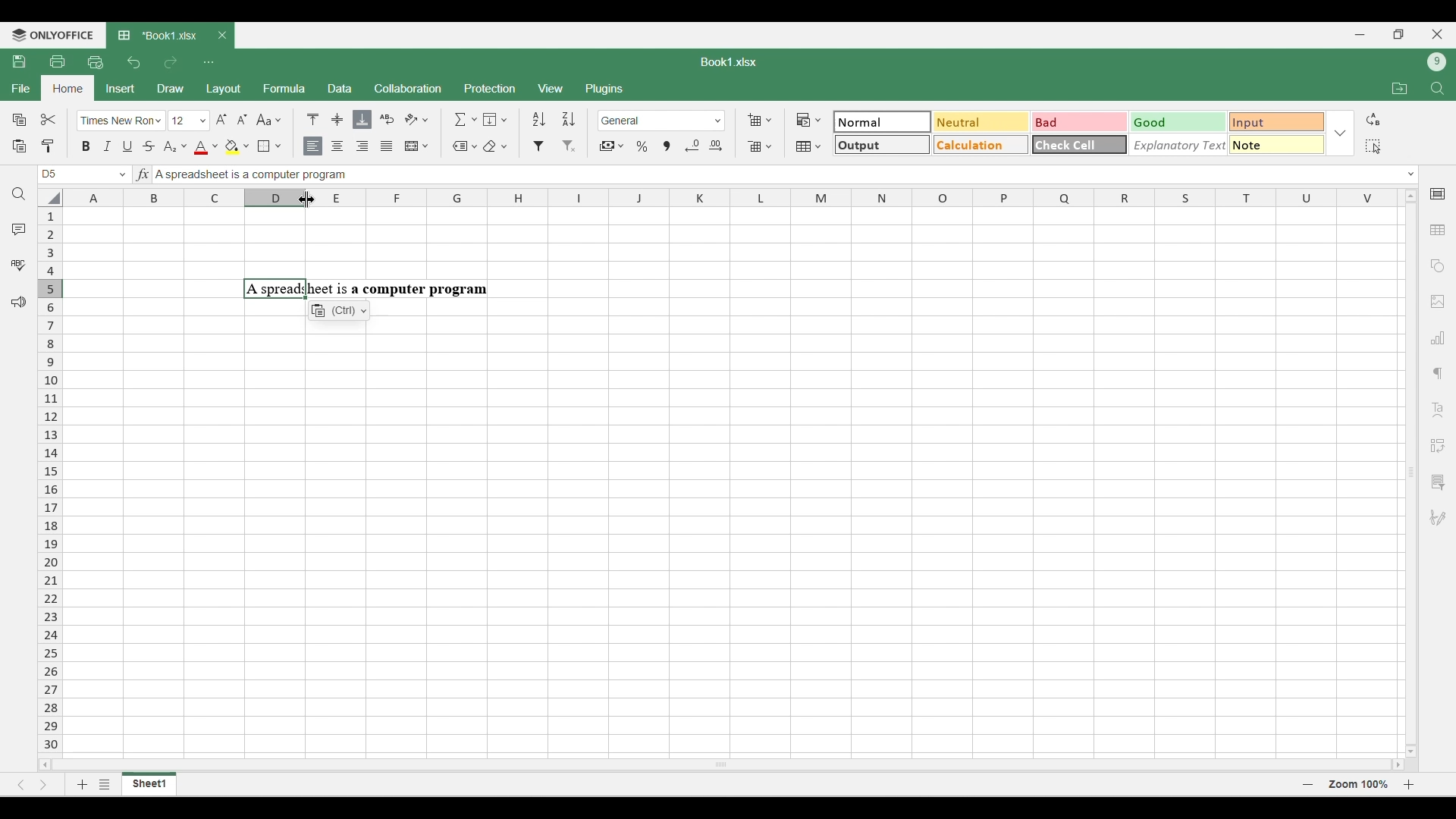 The image size is (1456, 819). What do you see at coordinates (123, 174) in the screenshot?
I see `Change cell` at bounding box center [123, 174].